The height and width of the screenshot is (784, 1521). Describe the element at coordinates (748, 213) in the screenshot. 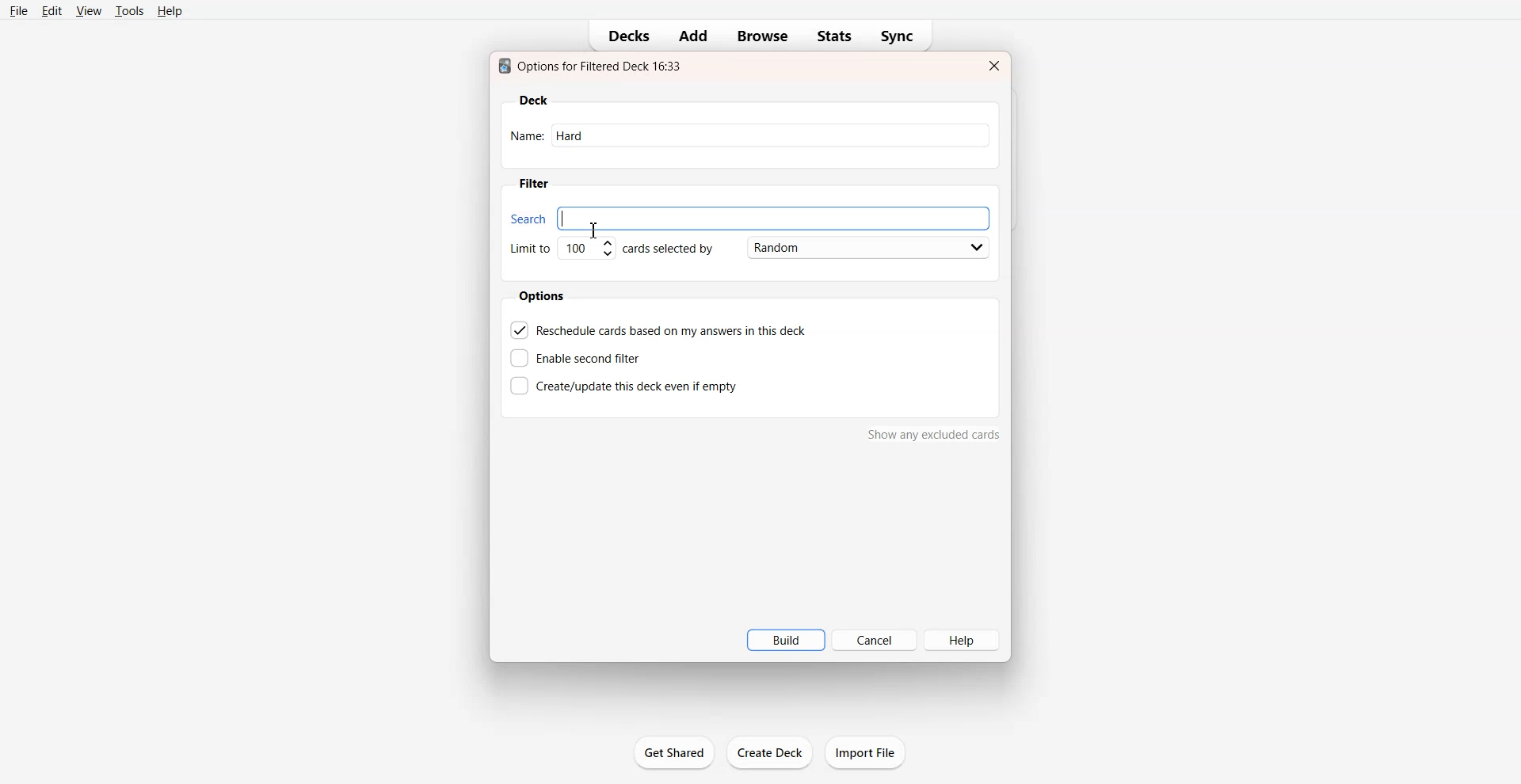

I see `Search bar` at that location.